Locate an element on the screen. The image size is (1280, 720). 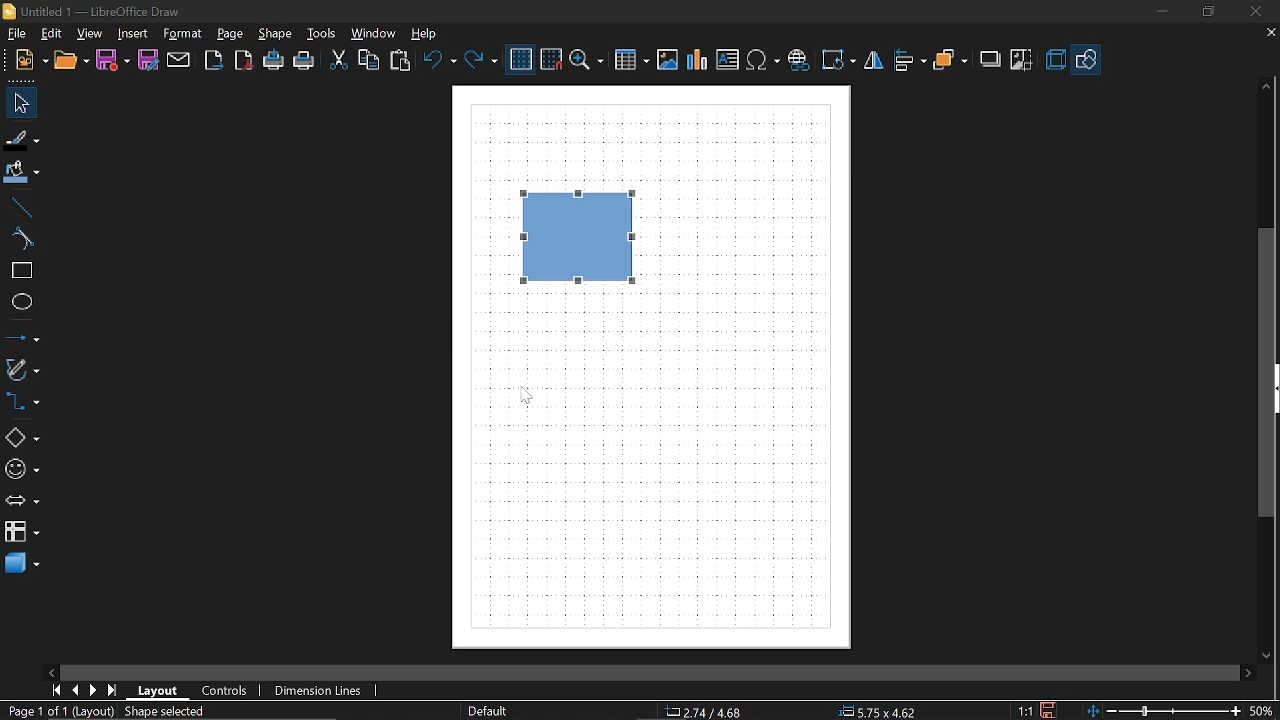
Minimize is located at coordinates (1158, 11).